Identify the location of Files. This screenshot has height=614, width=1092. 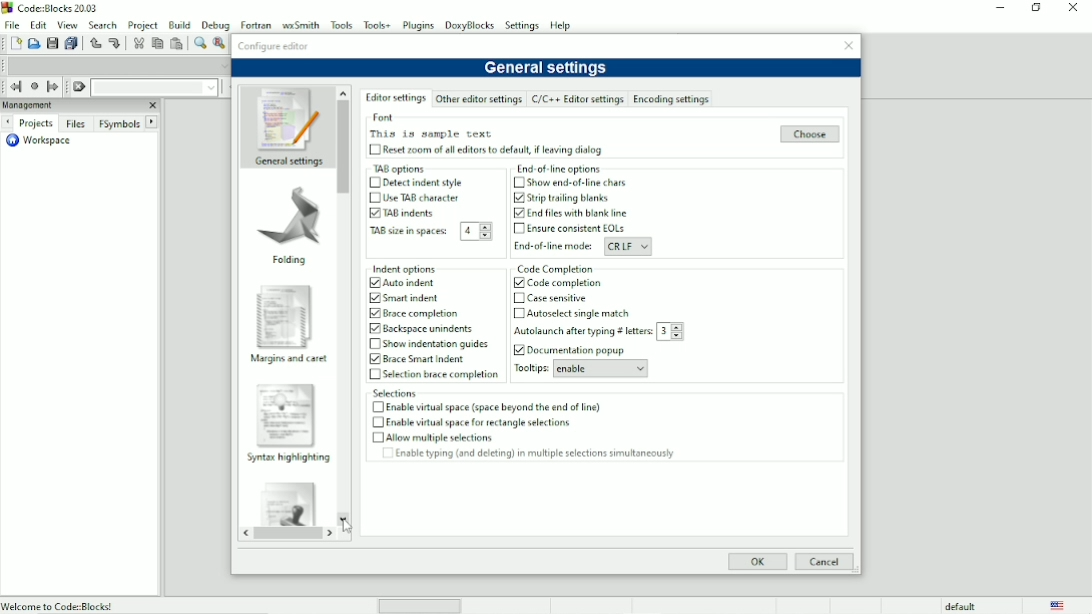
(76, 125).